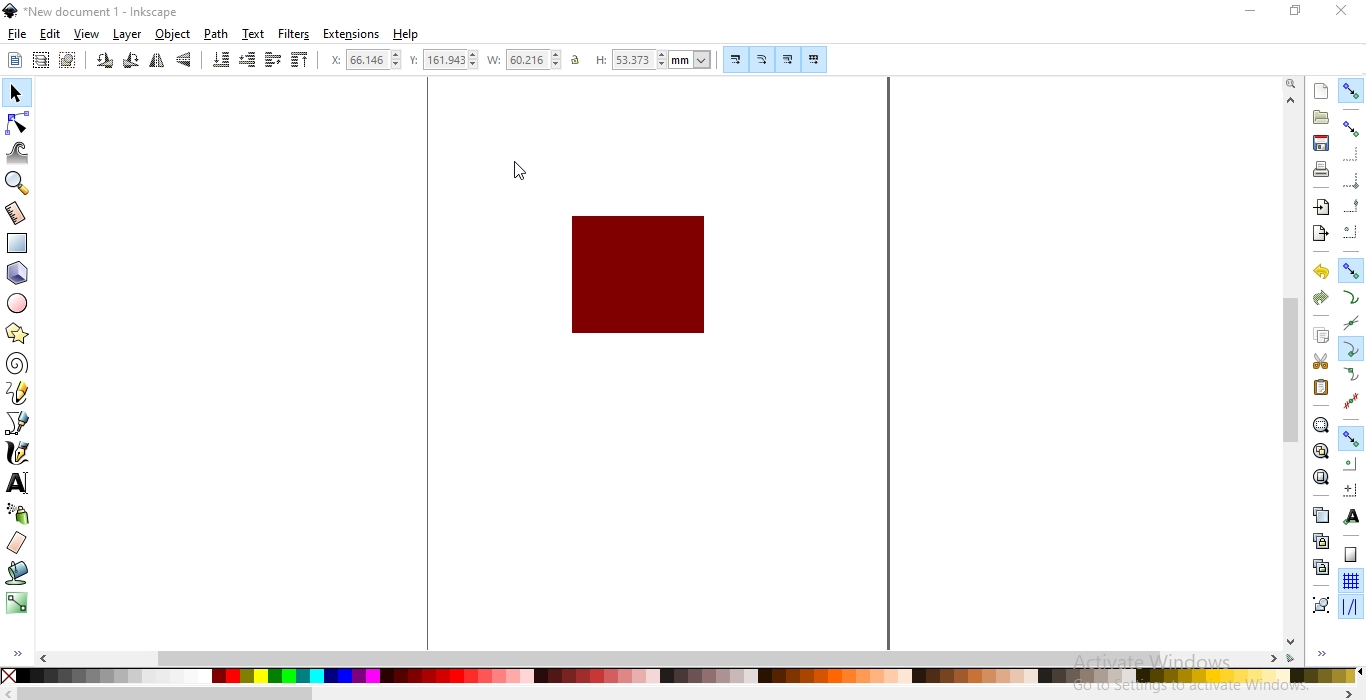 Image resolution: width=1366 pixels, height=700 pixels. I want to click on draw bazier lines and straight lines, so click(18, 423).